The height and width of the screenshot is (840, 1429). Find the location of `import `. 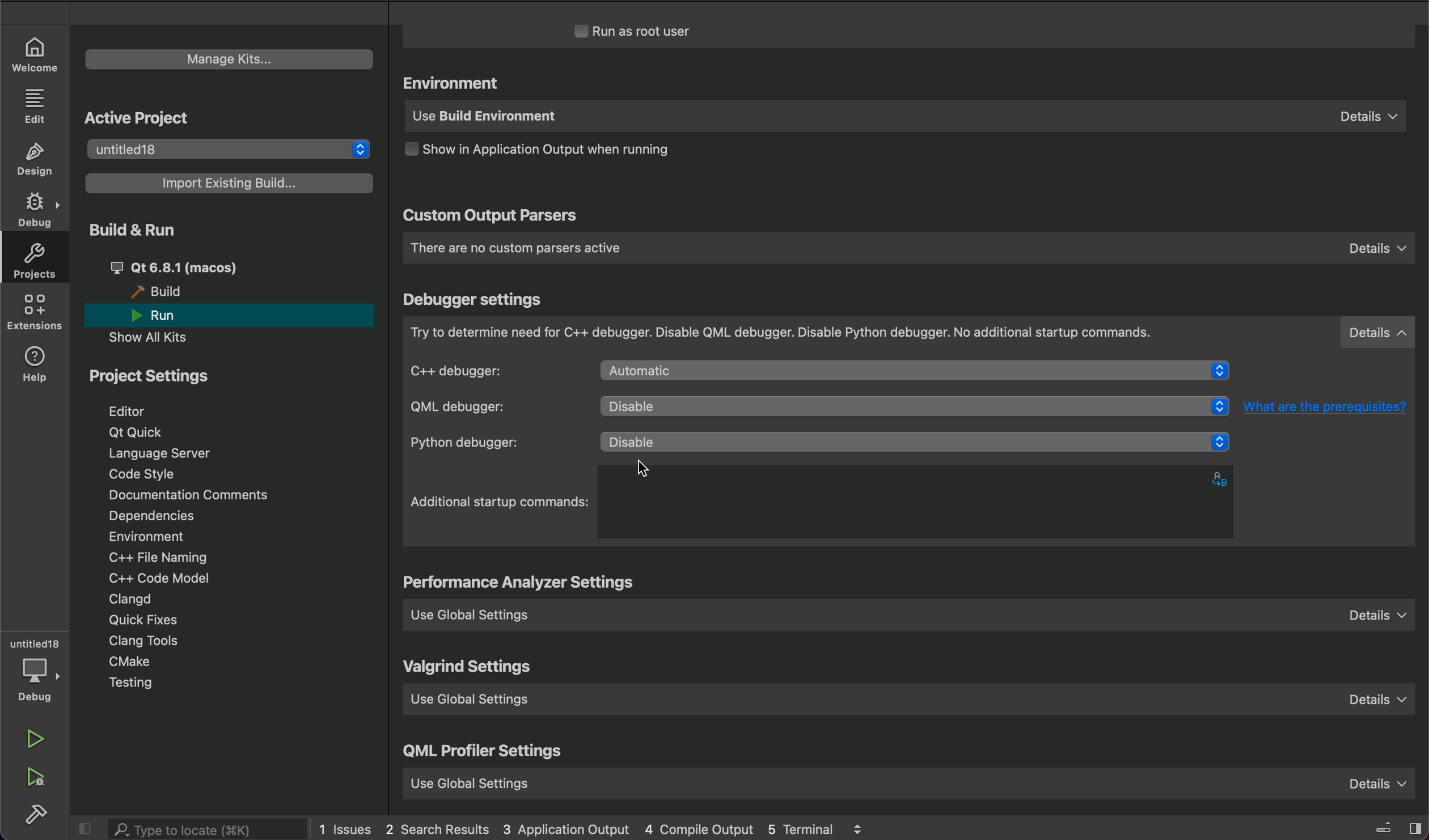

import  is located at coordinates (231, 183).